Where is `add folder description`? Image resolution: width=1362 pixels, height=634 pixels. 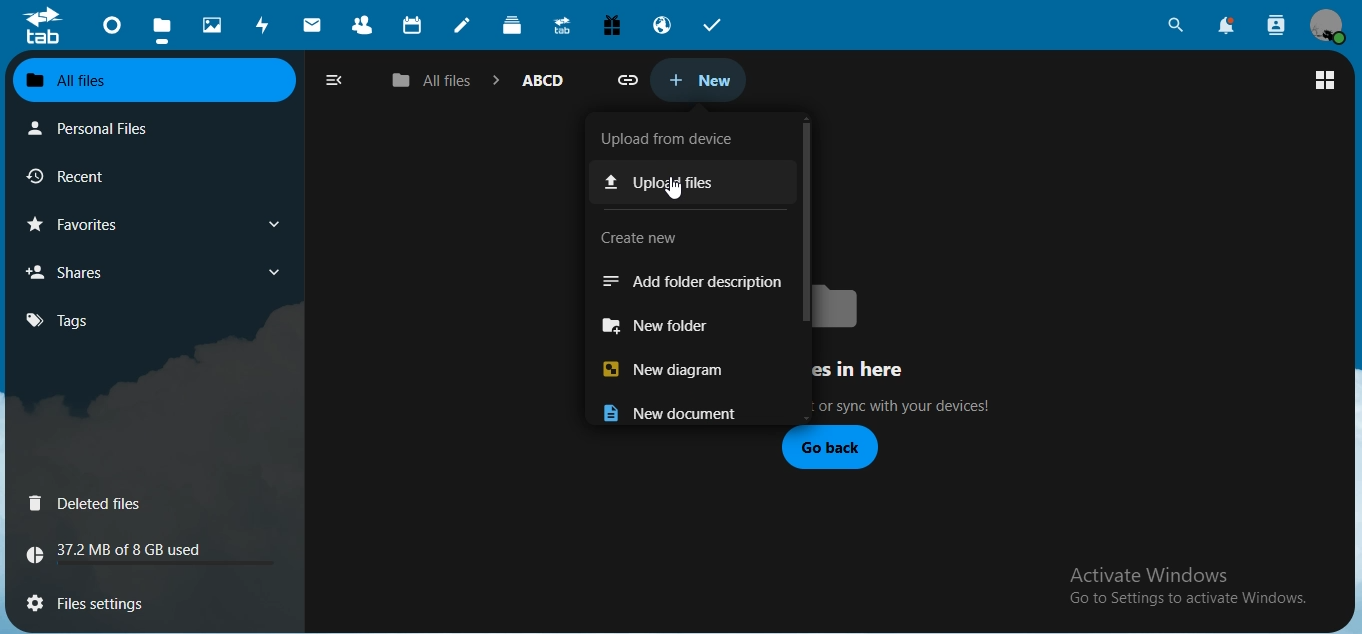 add folder description is located at coordinates (693, 282).